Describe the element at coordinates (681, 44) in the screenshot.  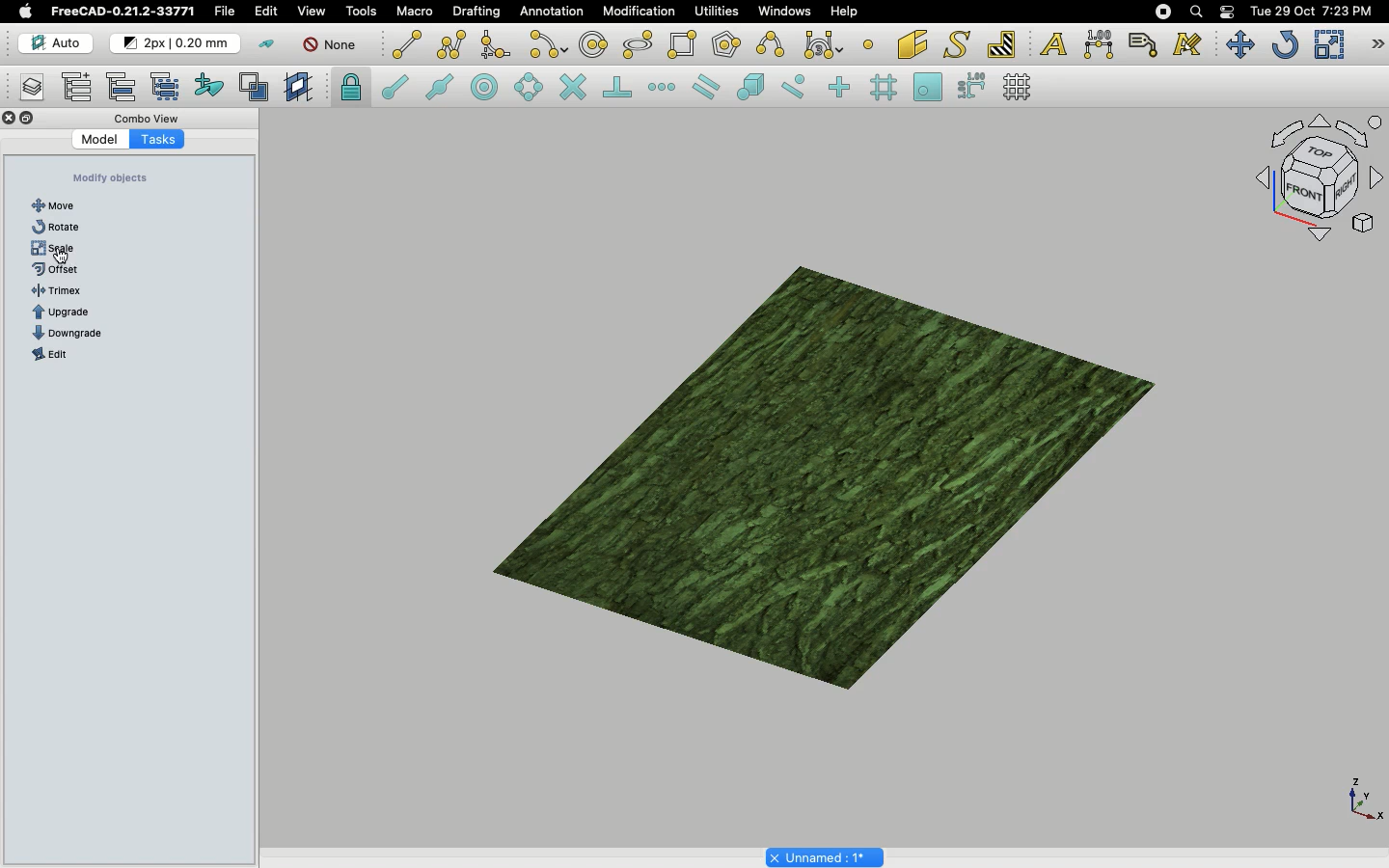
I see `Rectangle` at that location.